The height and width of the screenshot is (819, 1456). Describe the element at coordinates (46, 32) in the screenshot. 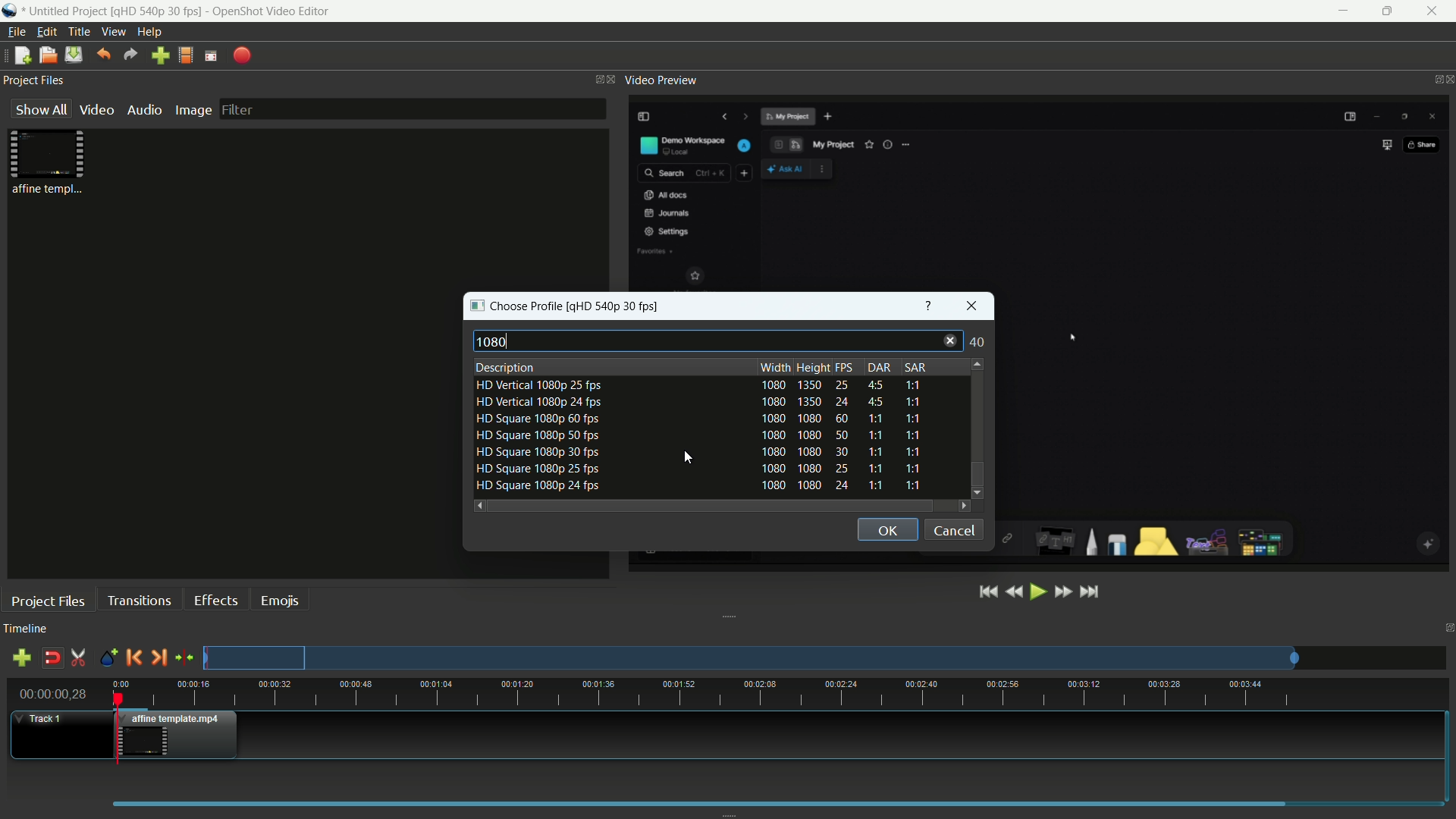

I see `edit menu` at that location.